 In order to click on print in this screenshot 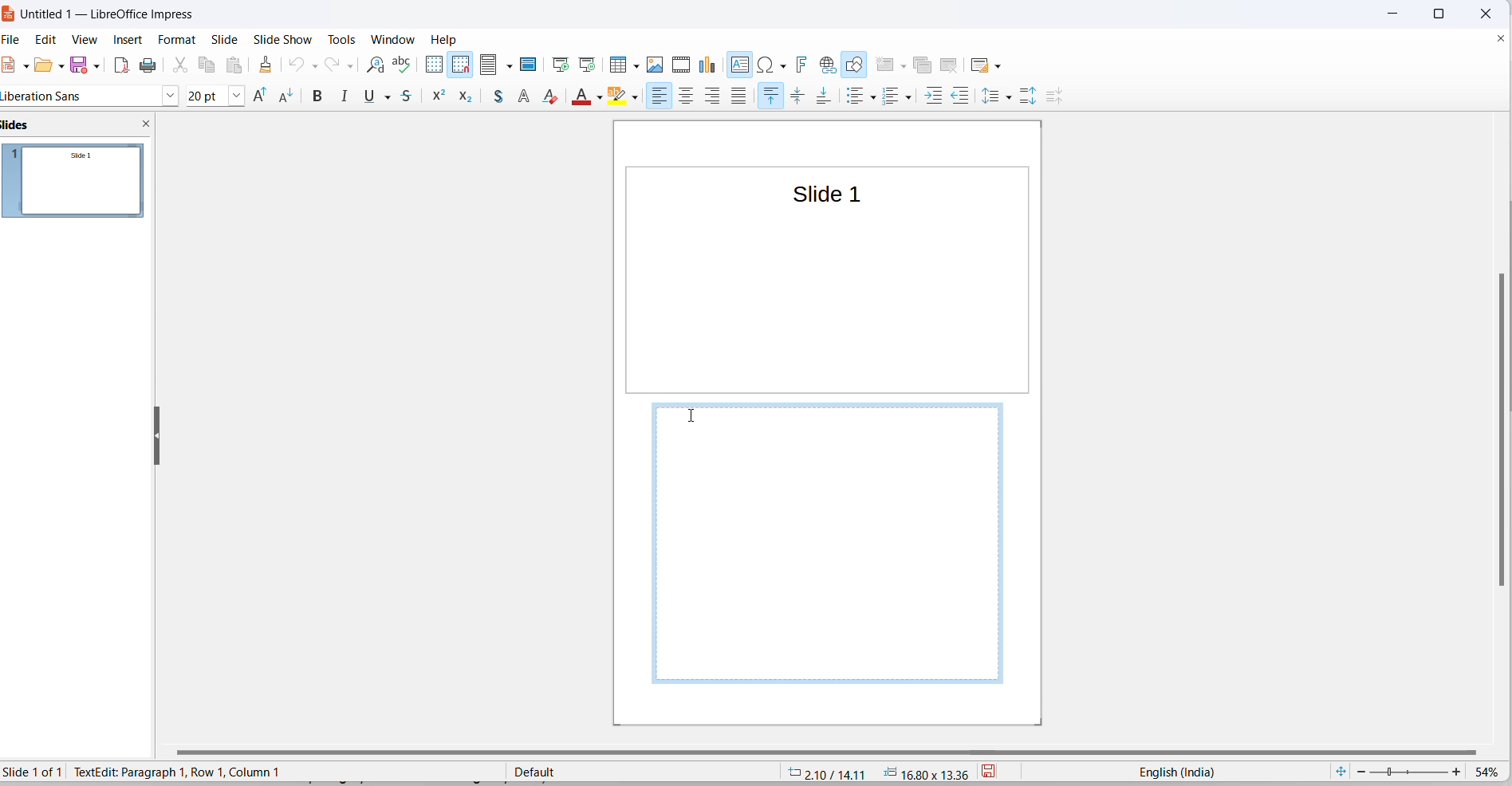, I will do `click(149, 67)`.